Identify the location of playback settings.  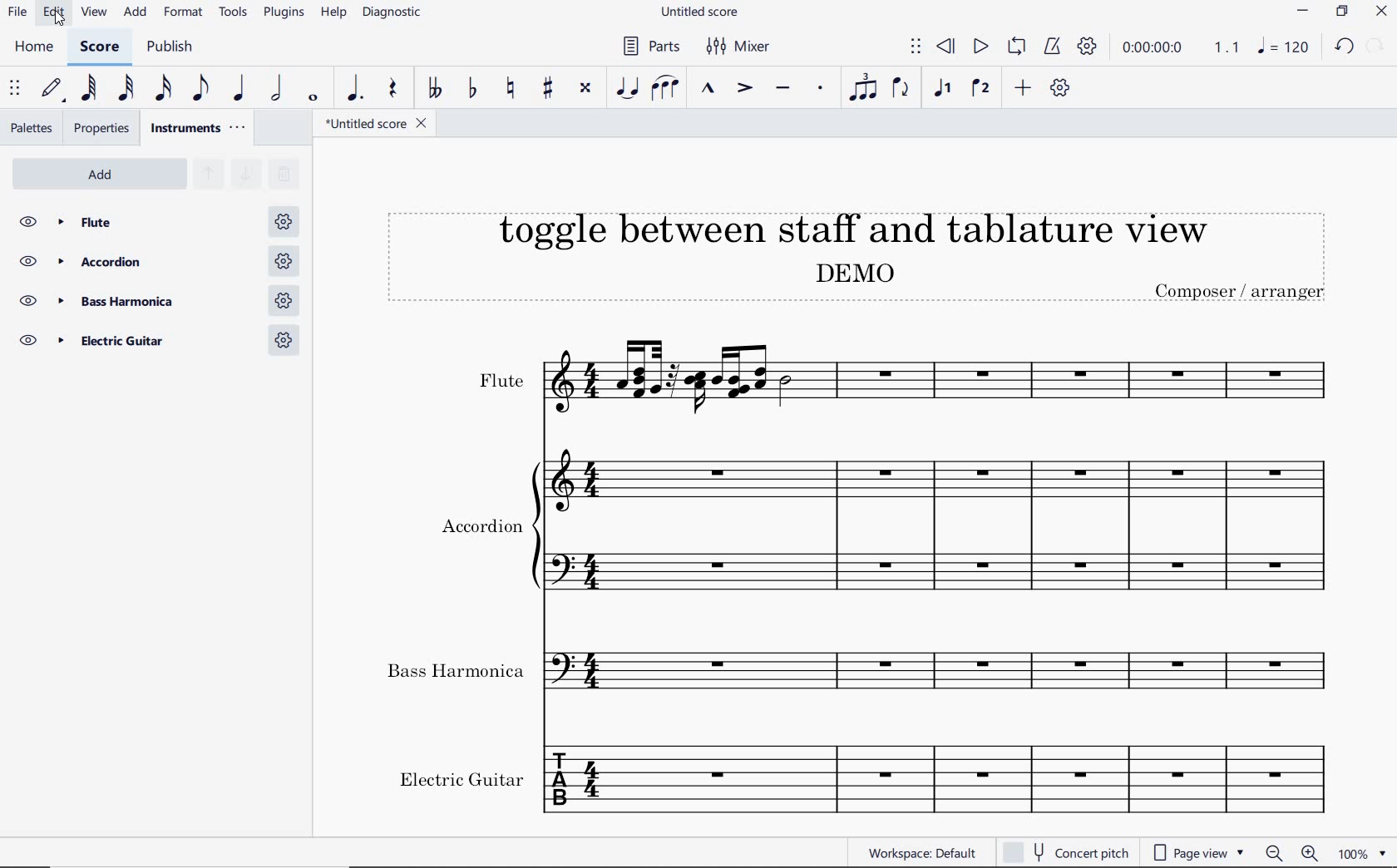
(1088, 50).